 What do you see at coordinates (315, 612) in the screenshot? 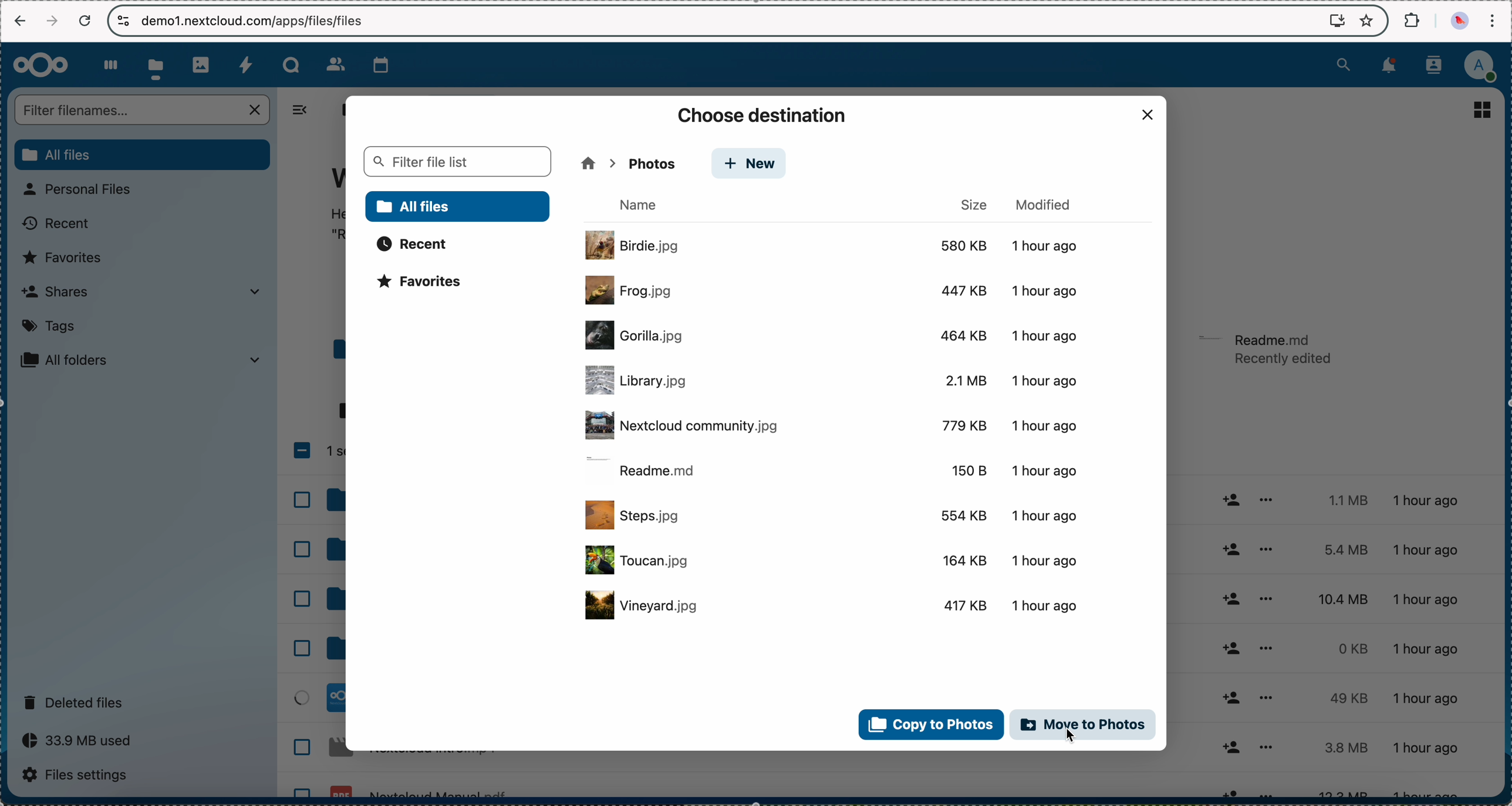
I see `checkboxes` at bounding box center [315, 612].